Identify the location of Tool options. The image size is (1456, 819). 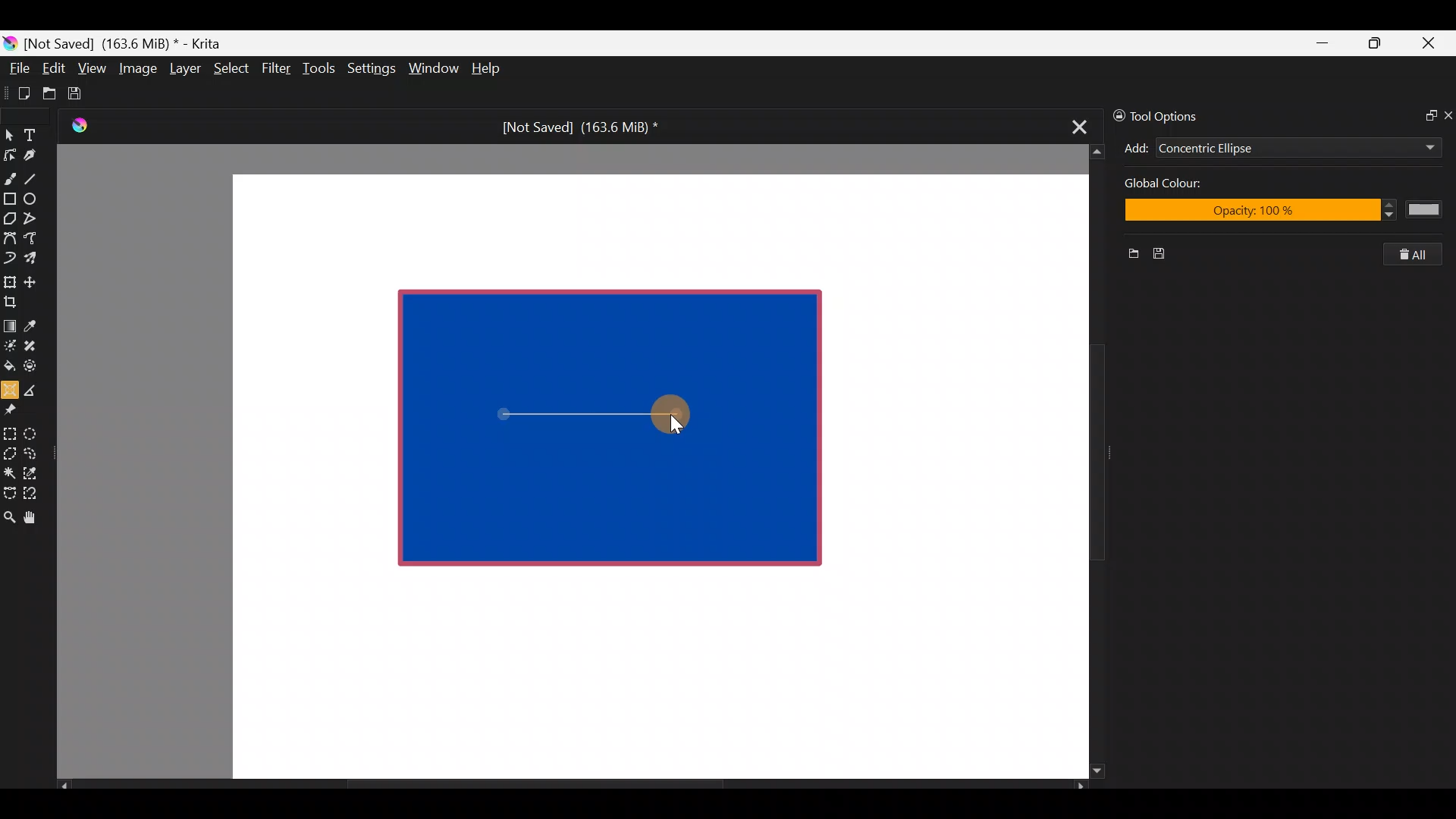
(1178, 116).